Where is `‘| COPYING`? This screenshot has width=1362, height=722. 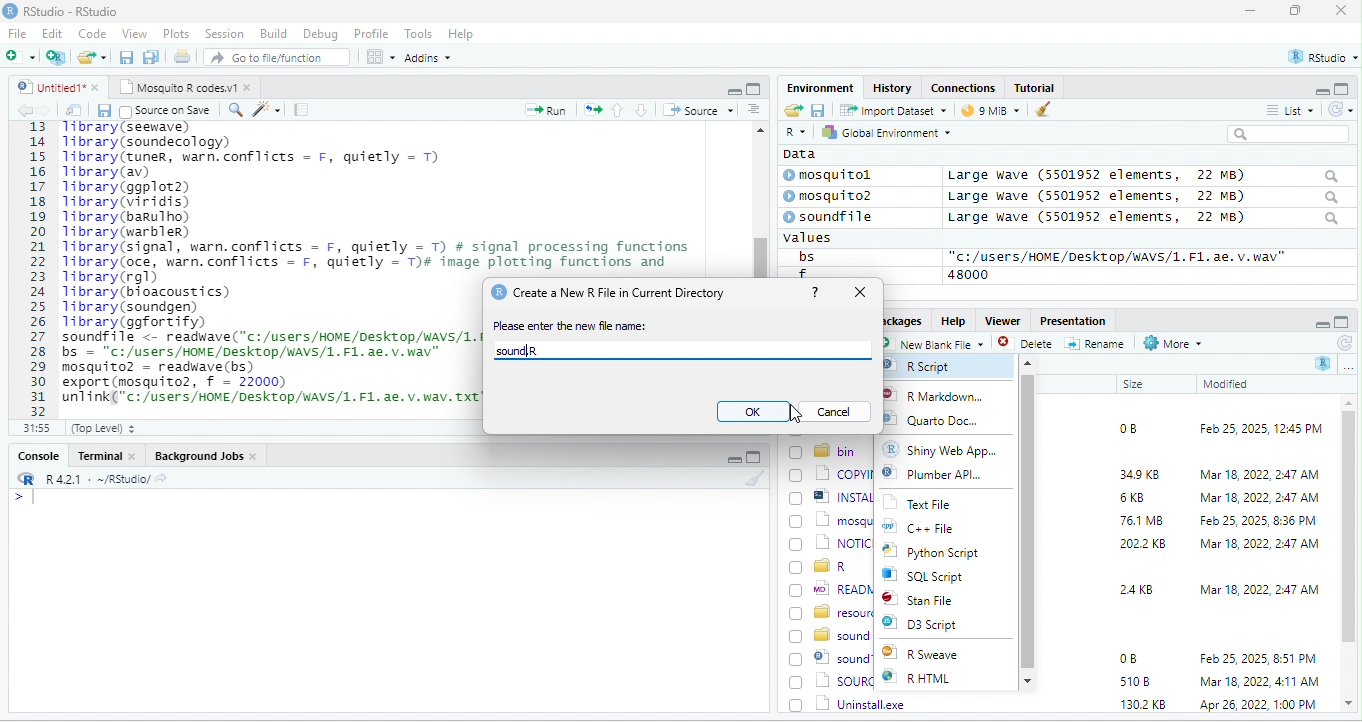
‘| COPYING is located at coordinates (831, 473).